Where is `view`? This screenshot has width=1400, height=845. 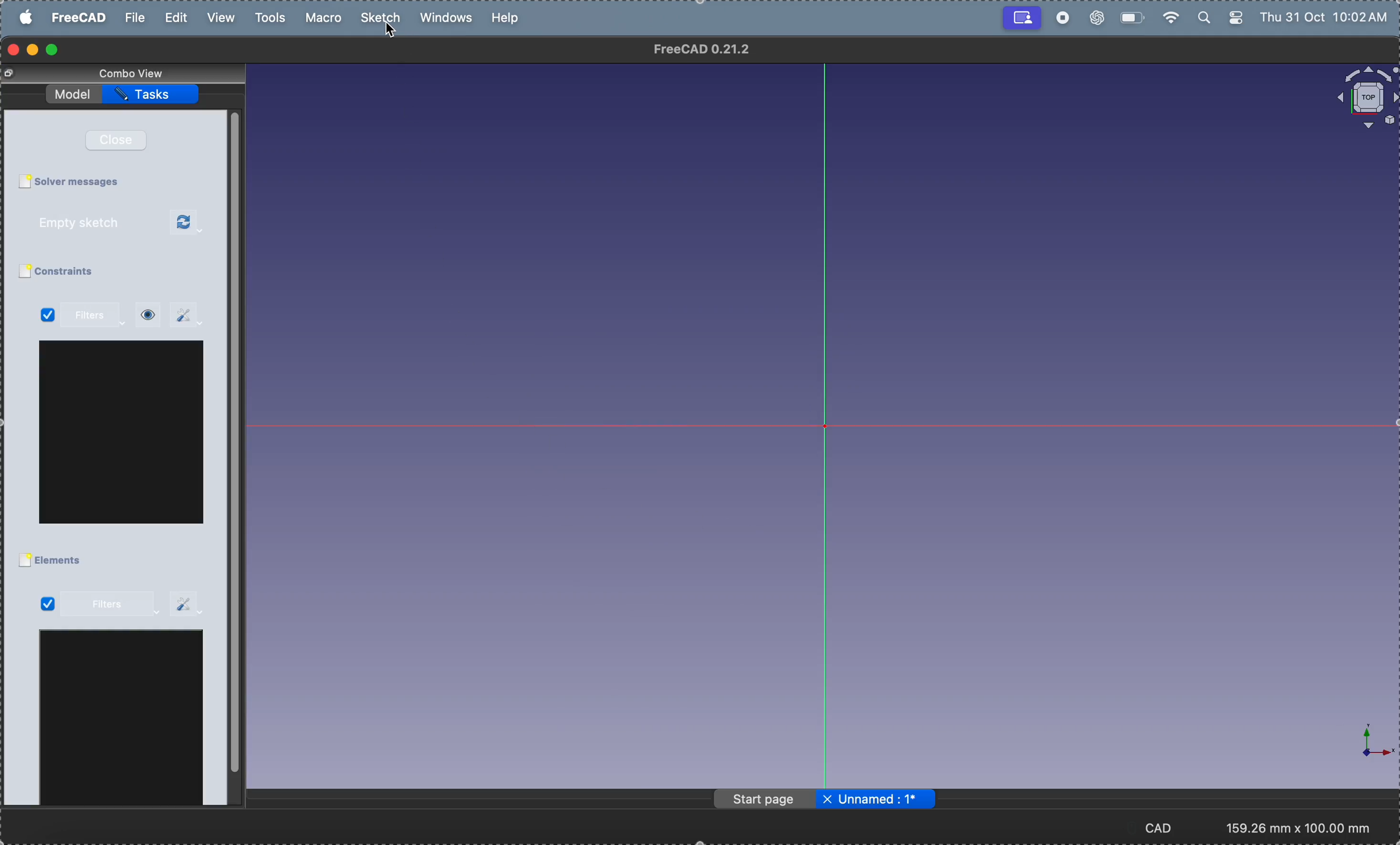
view is located at coordinates (219, 18).